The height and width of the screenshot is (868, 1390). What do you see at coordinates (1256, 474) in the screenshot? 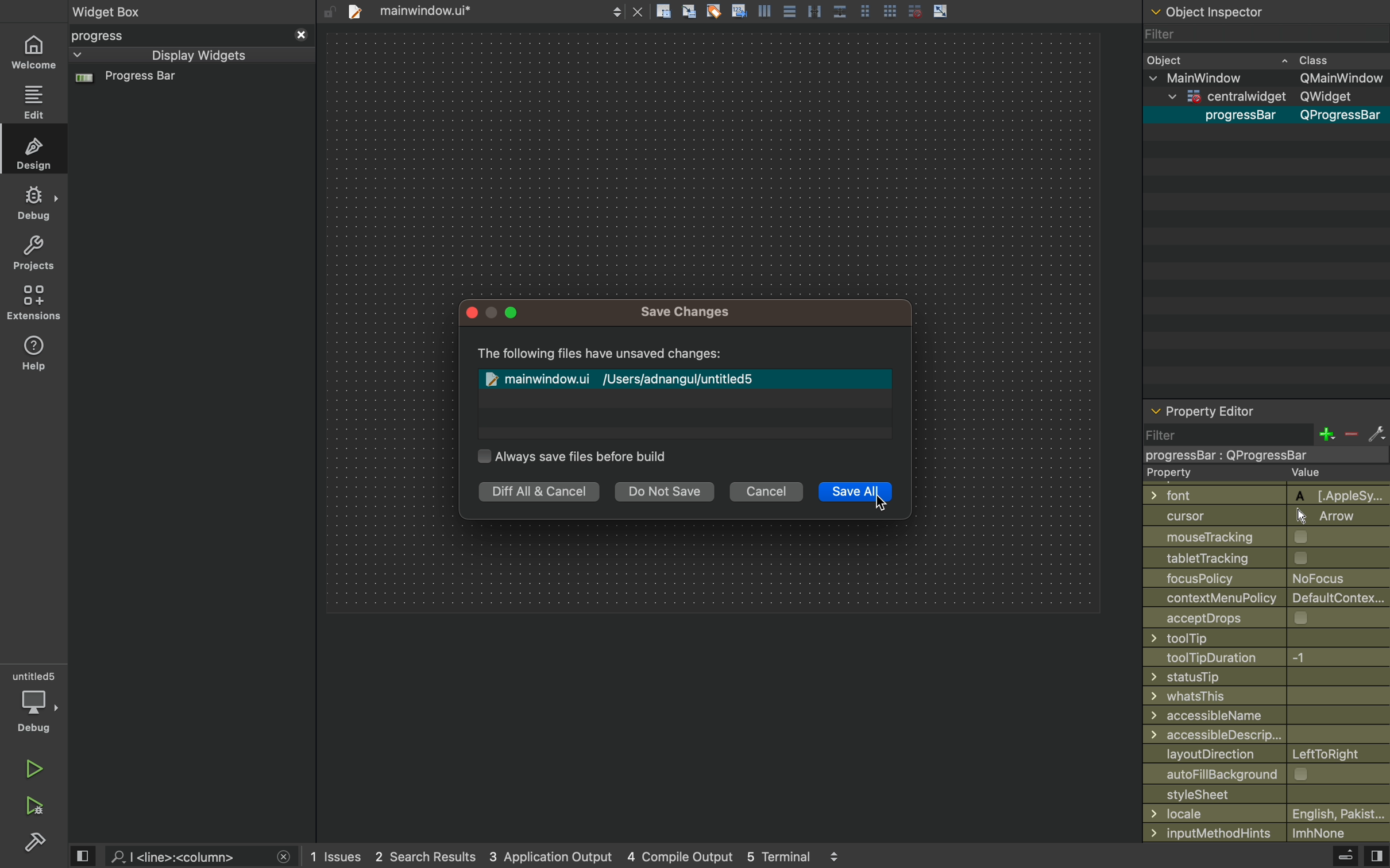
I see `property` at bounding box center [1256, 474].